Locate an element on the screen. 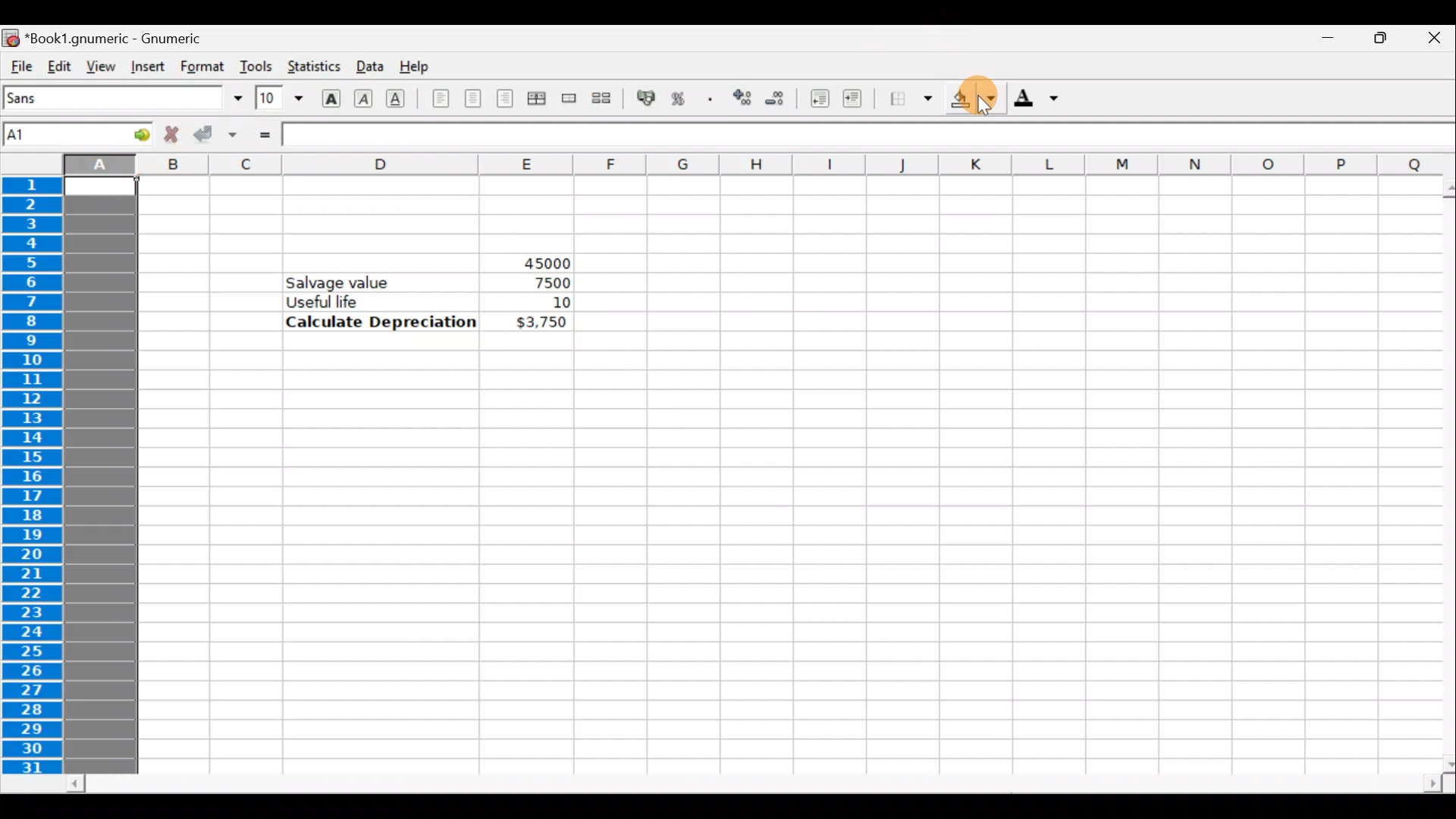 The image size is (1456, 819). Font name - Sans is located at coordinates (120, 99).